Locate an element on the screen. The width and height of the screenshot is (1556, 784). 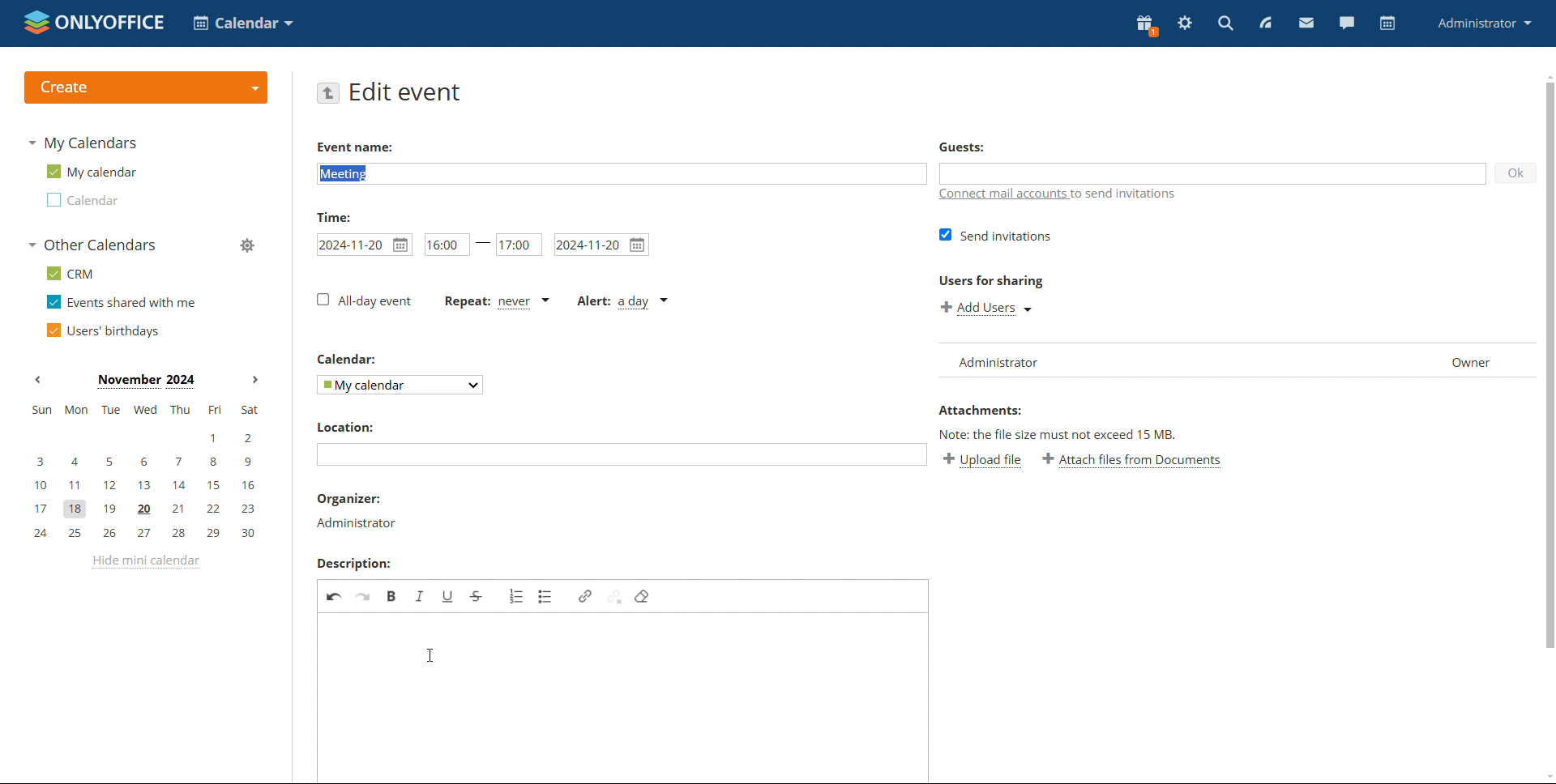
add location is located at coordinates (622, 456).